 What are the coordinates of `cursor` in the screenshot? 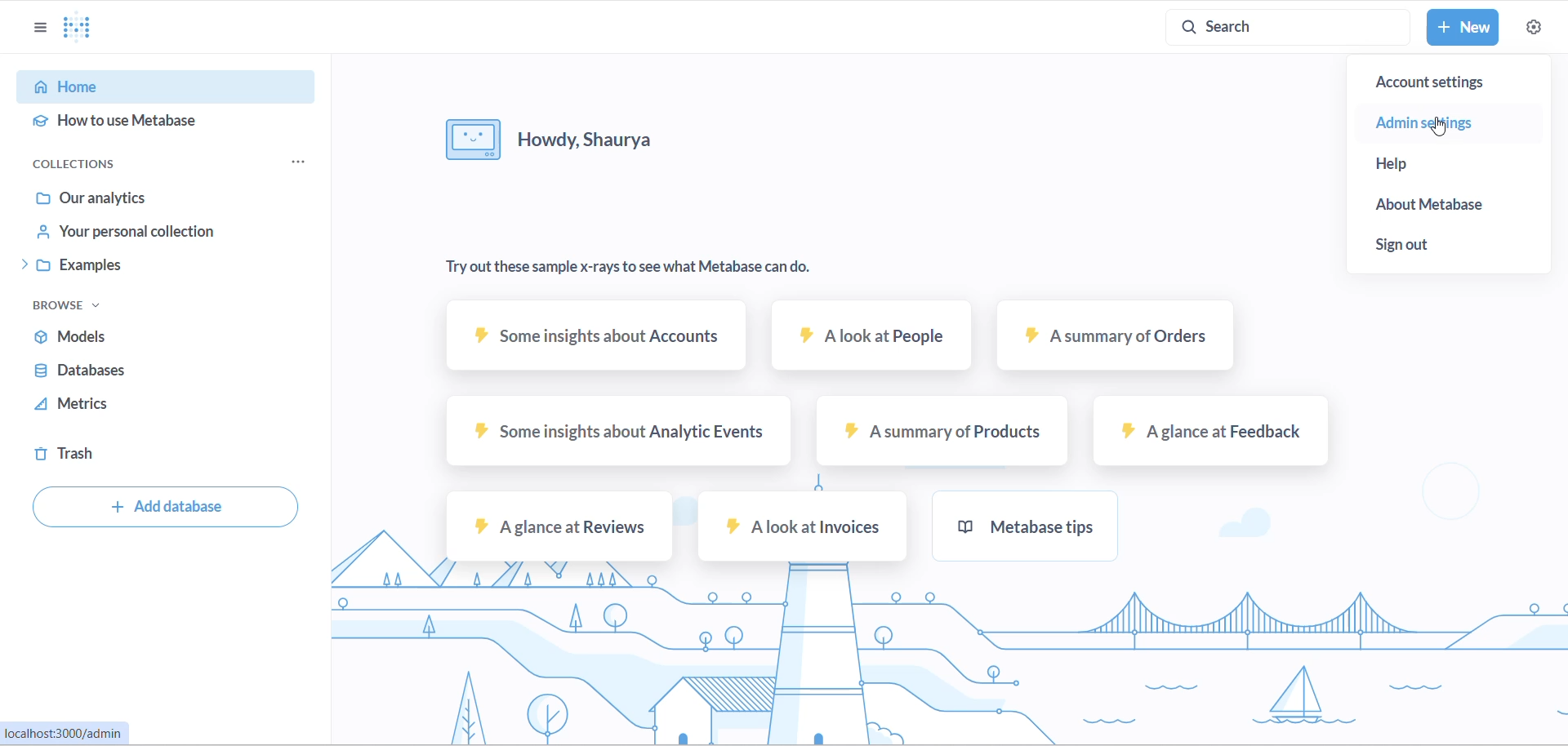 It's located at (1539, 32).